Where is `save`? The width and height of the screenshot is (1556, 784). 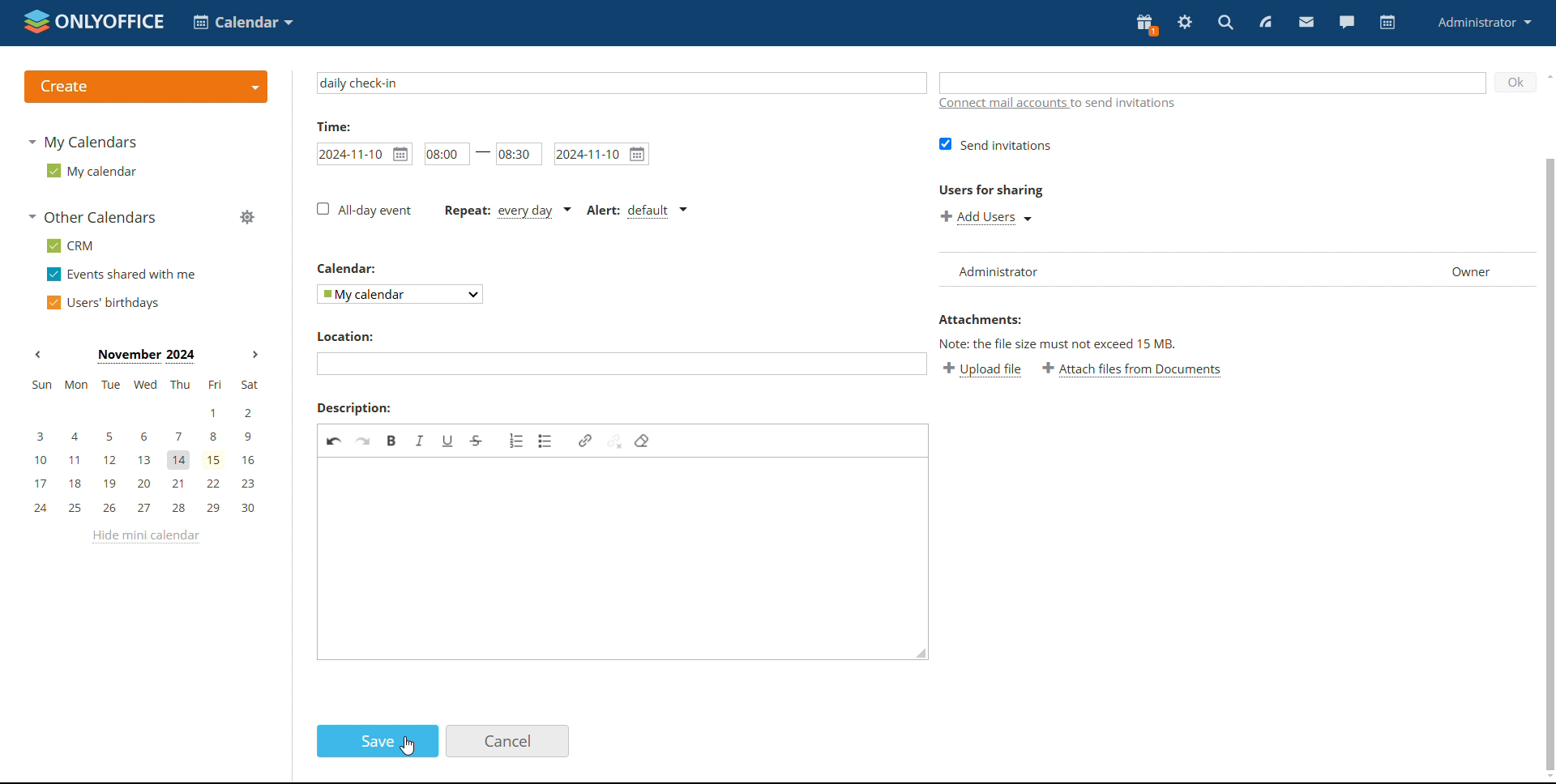 save is located at coordinates (377, 741).